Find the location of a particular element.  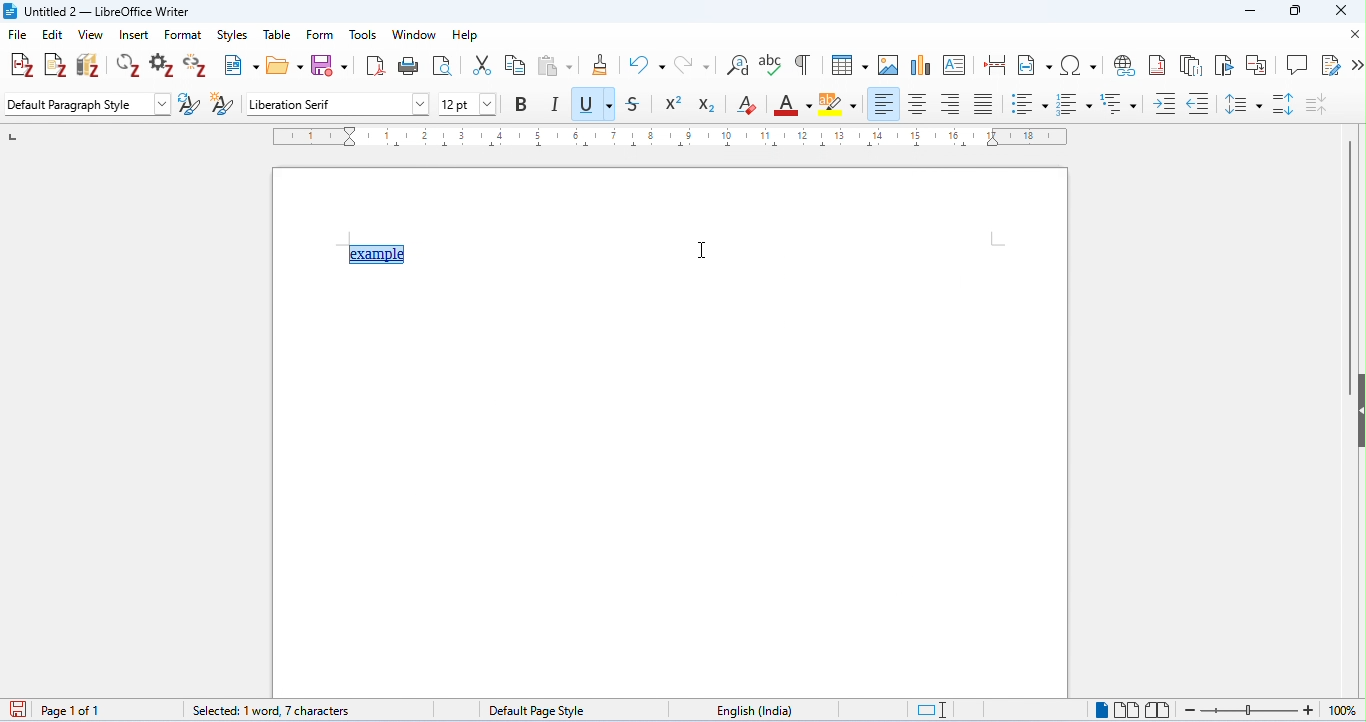

default paragraph style is located at coordinates (86, 103).